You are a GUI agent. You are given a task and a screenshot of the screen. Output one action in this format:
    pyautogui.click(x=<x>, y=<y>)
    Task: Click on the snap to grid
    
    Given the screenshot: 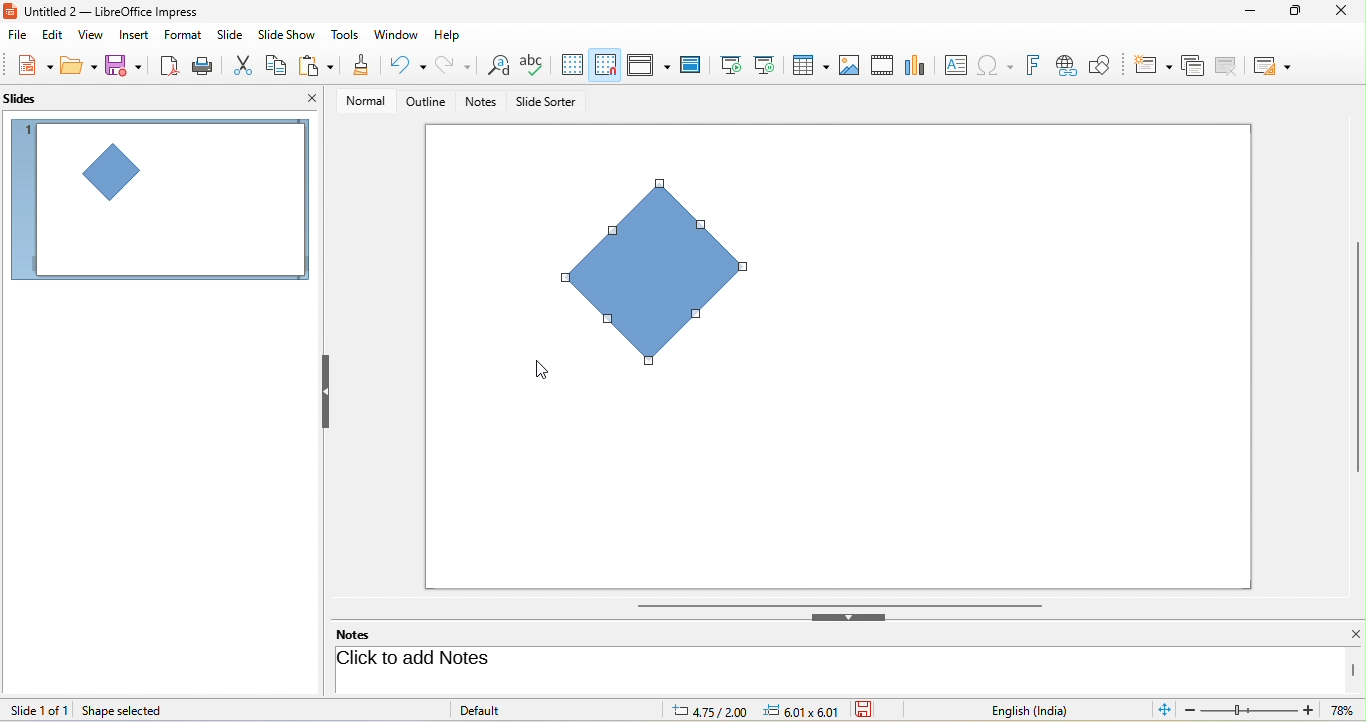 What is the action you would take?
    pyautogui.click(x=605, y=65)
    